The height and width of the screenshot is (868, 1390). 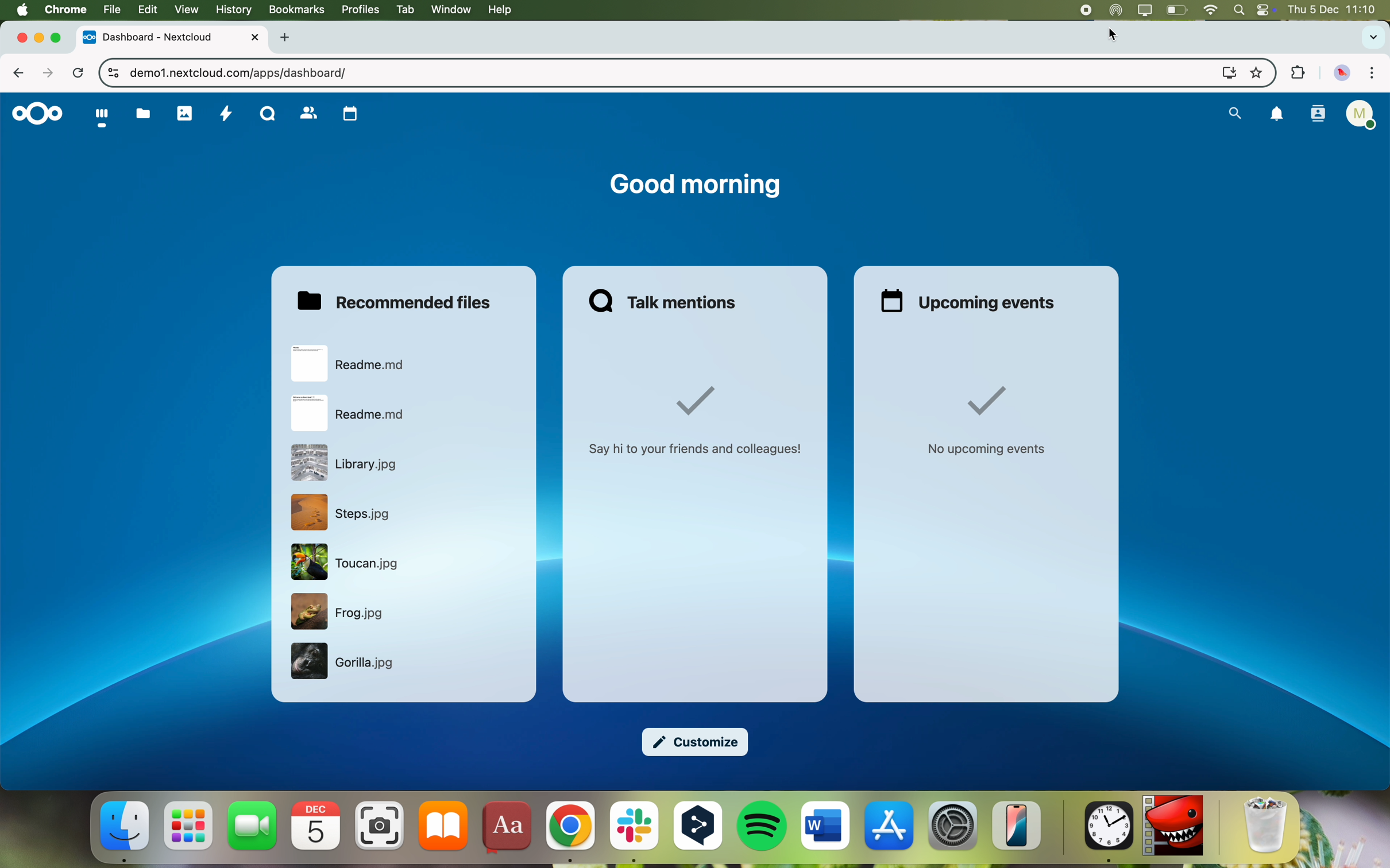 I want to click on window, so click(x=451, y=10).